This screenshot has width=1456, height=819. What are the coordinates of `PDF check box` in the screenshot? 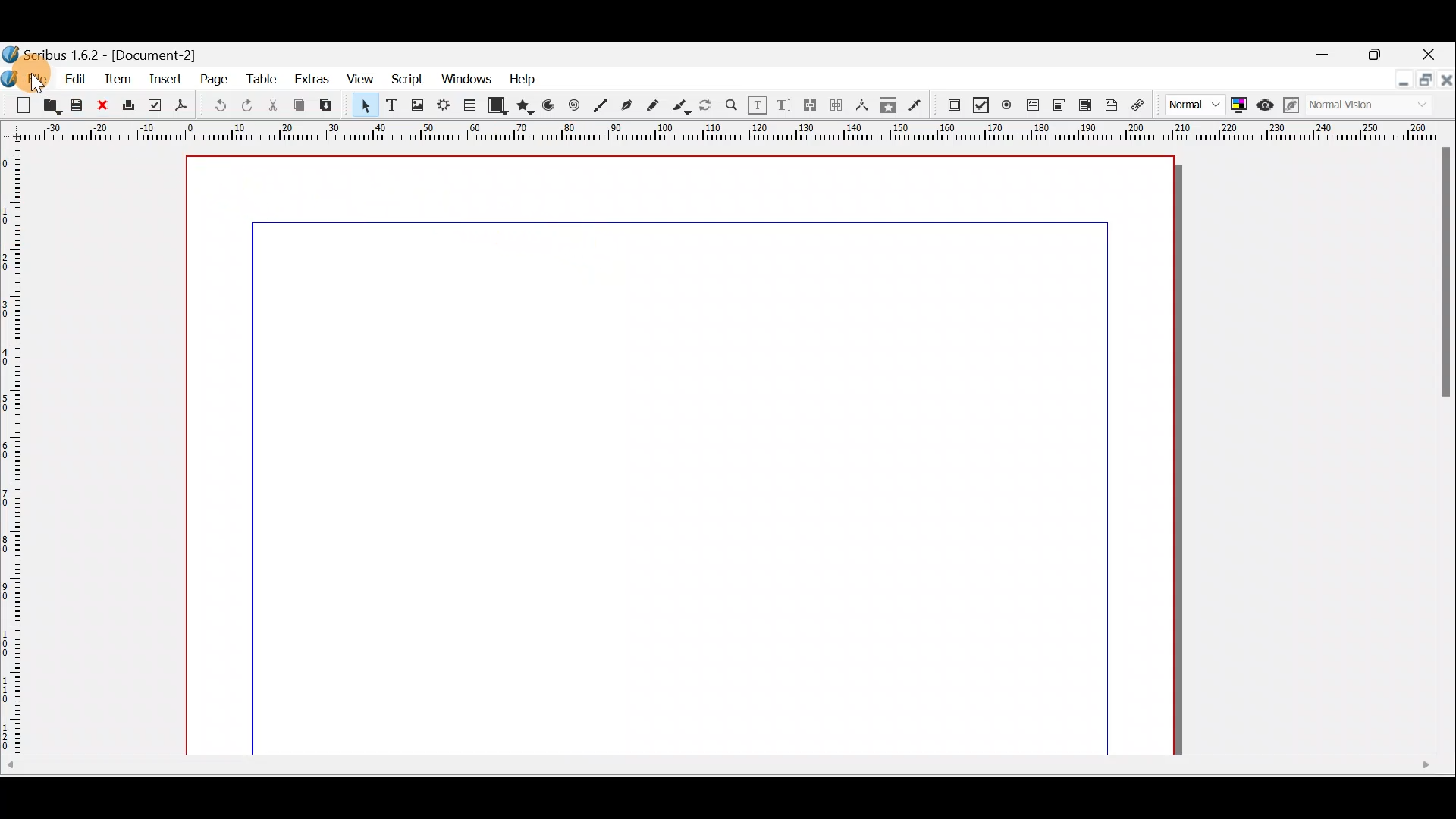 It's located at (979, 105).